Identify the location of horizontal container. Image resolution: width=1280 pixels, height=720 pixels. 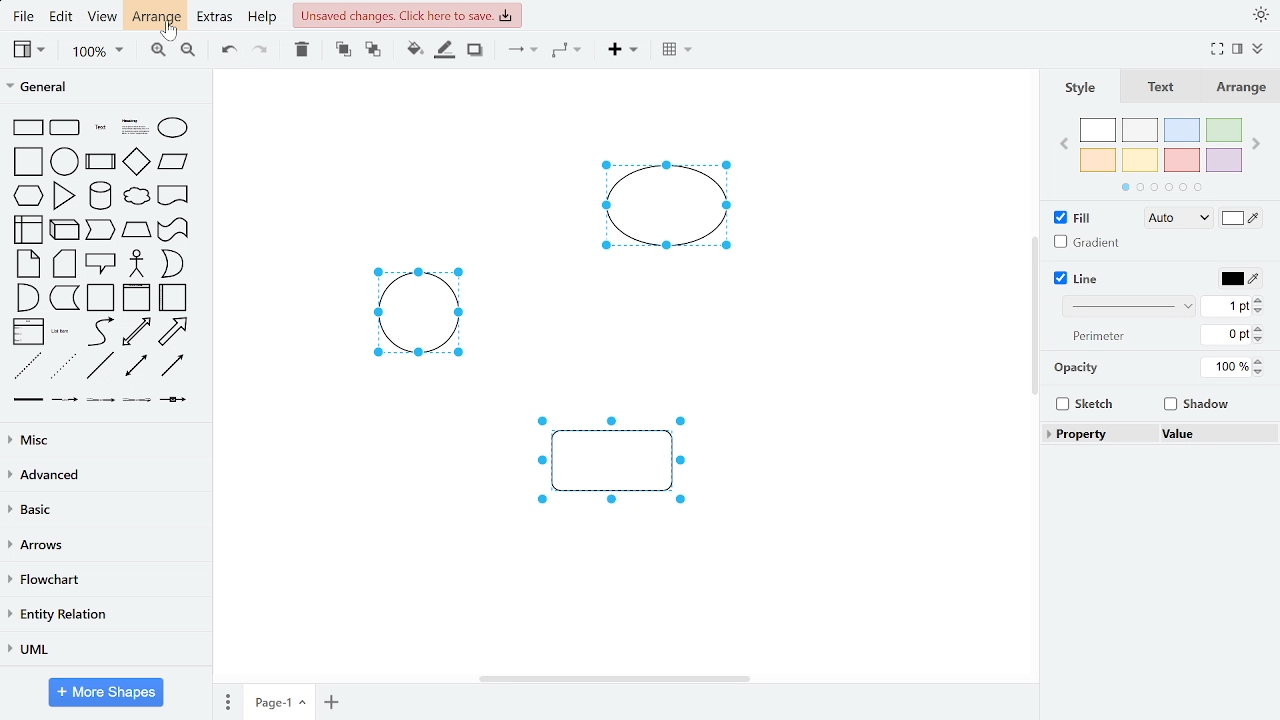
(175, 297).